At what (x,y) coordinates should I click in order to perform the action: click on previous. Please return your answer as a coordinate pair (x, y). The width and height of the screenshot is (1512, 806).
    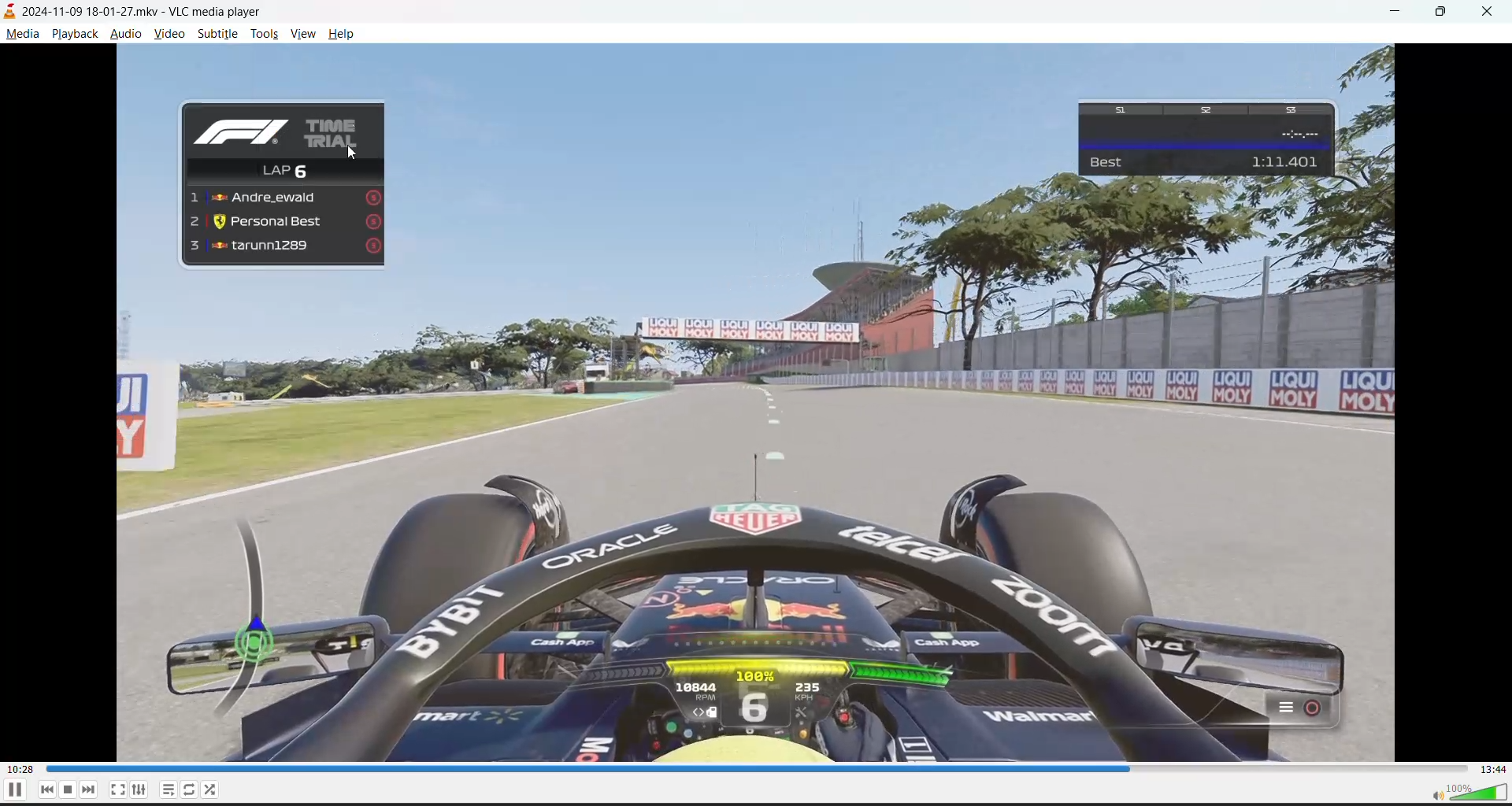
    Looking at the image, I should click on (43, 790).